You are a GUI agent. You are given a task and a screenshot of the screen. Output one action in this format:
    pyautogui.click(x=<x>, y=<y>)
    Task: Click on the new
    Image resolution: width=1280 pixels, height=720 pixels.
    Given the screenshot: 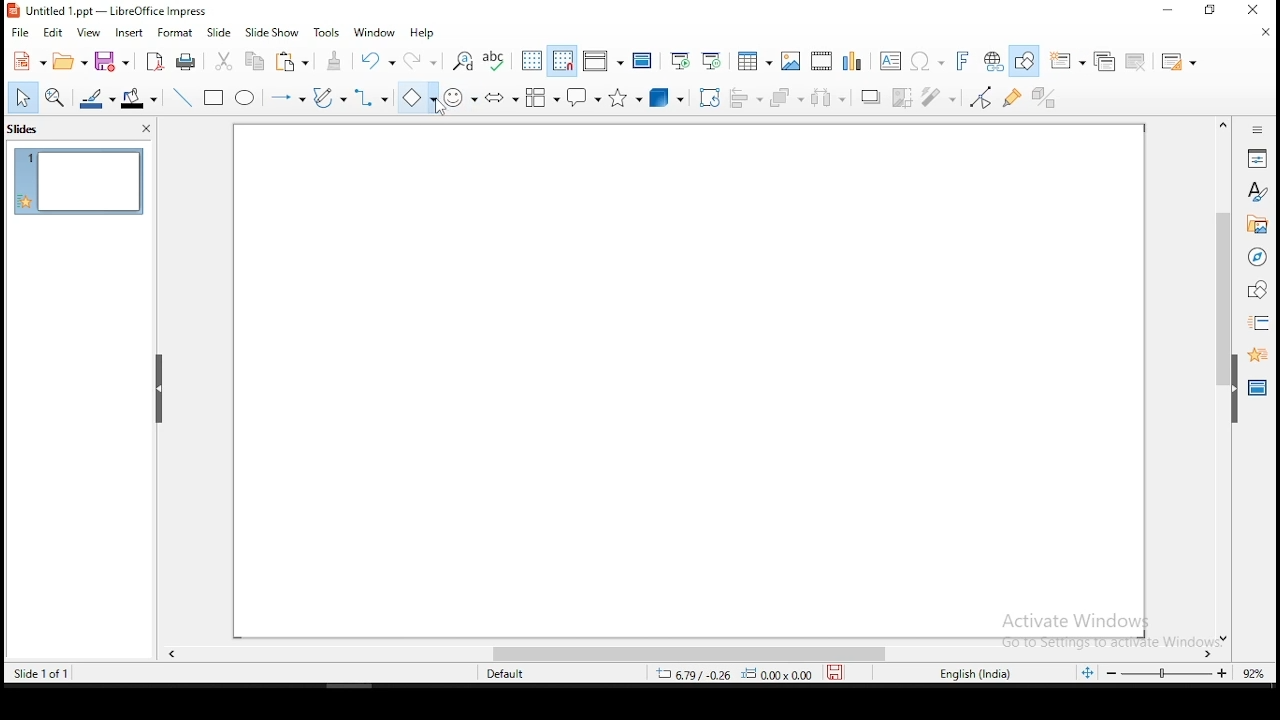 What is the action you would take?
    pyautogui.click(x=28, y=61)
    